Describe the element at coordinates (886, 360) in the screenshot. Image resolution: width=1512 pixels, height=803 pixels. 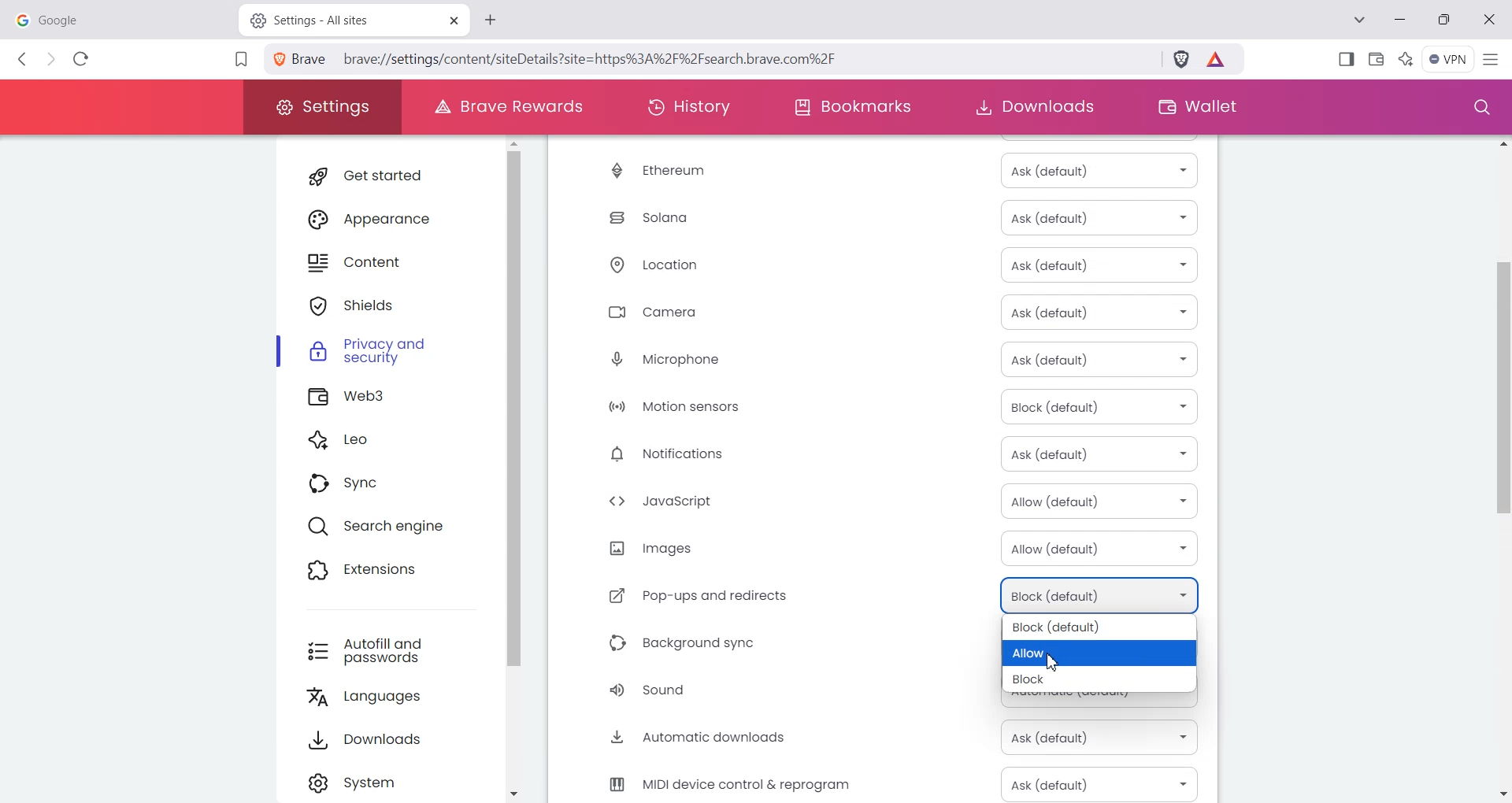
I see `Microphone Ask (Default)` at that location.